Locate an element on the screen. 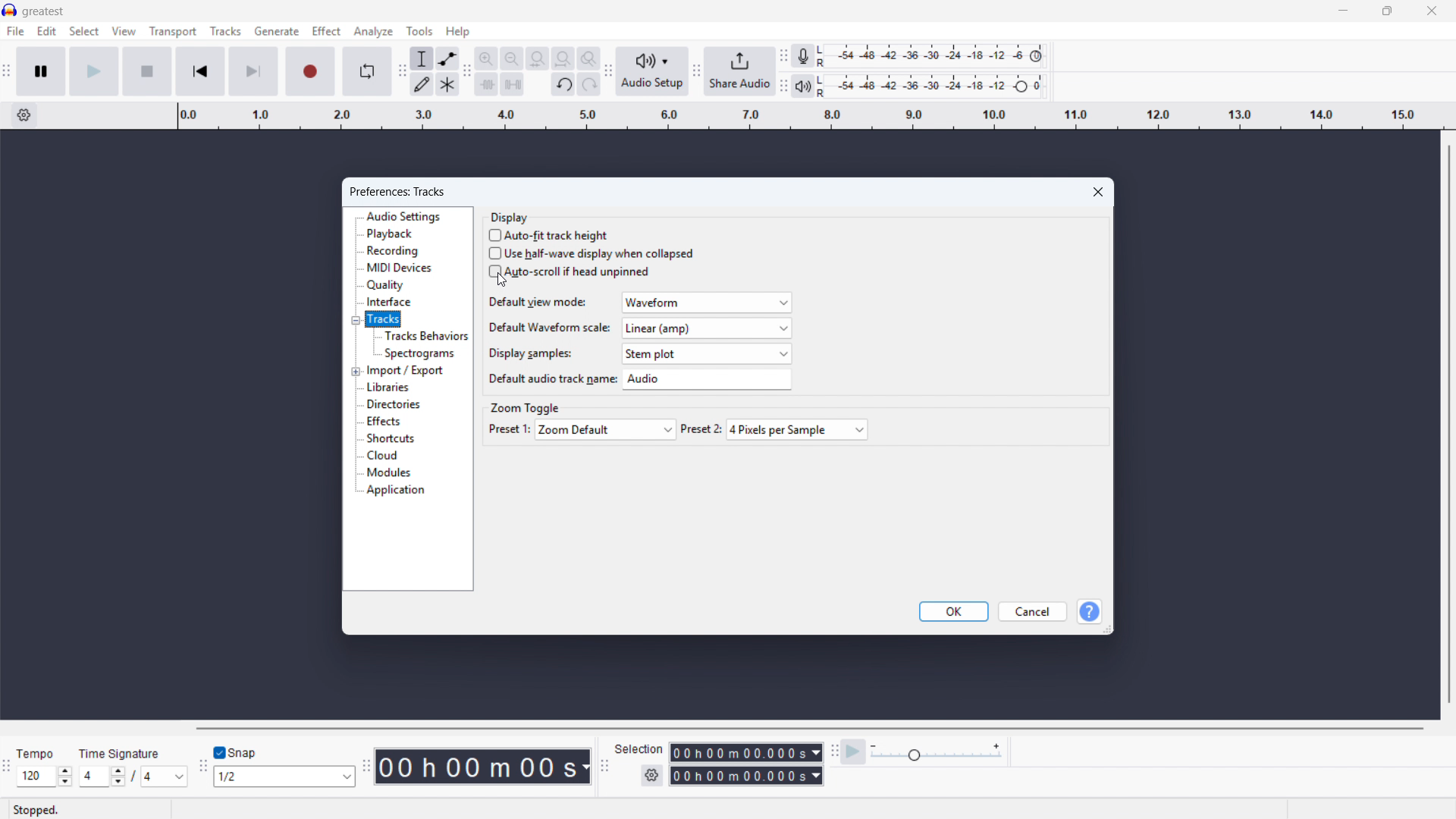 The image size is (1456, 819). Expand  is located at coordinates (356, 372).